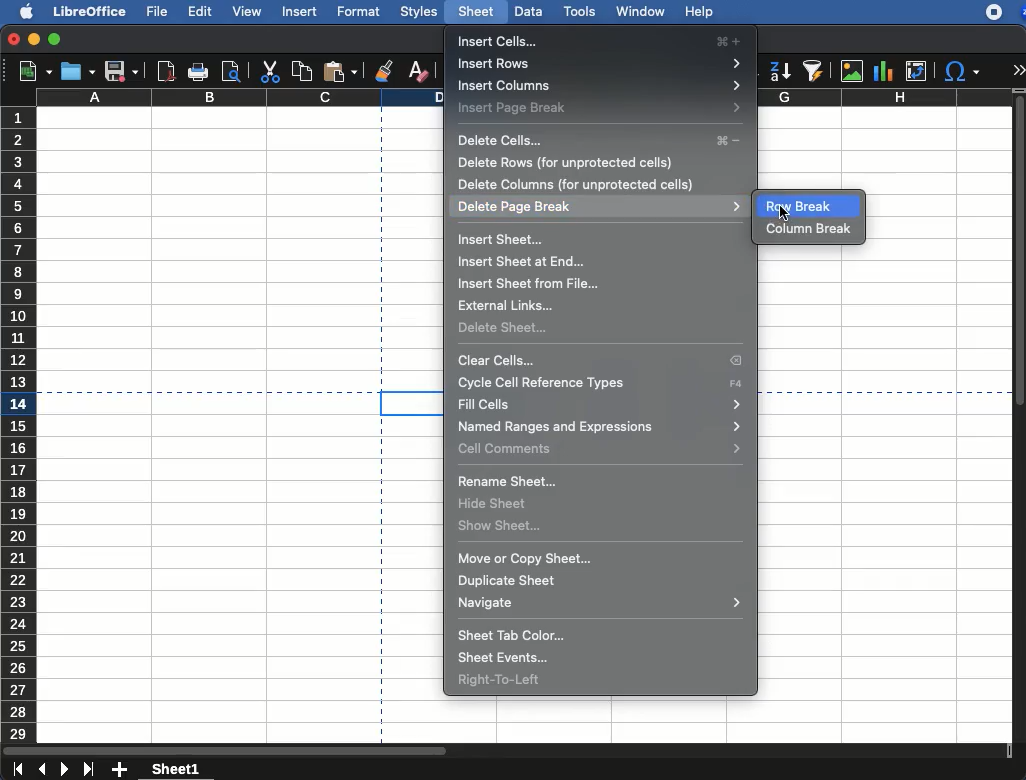  Describe the element at coordinates (601, 207) in the screenshot. I see `delete page break` at that location.